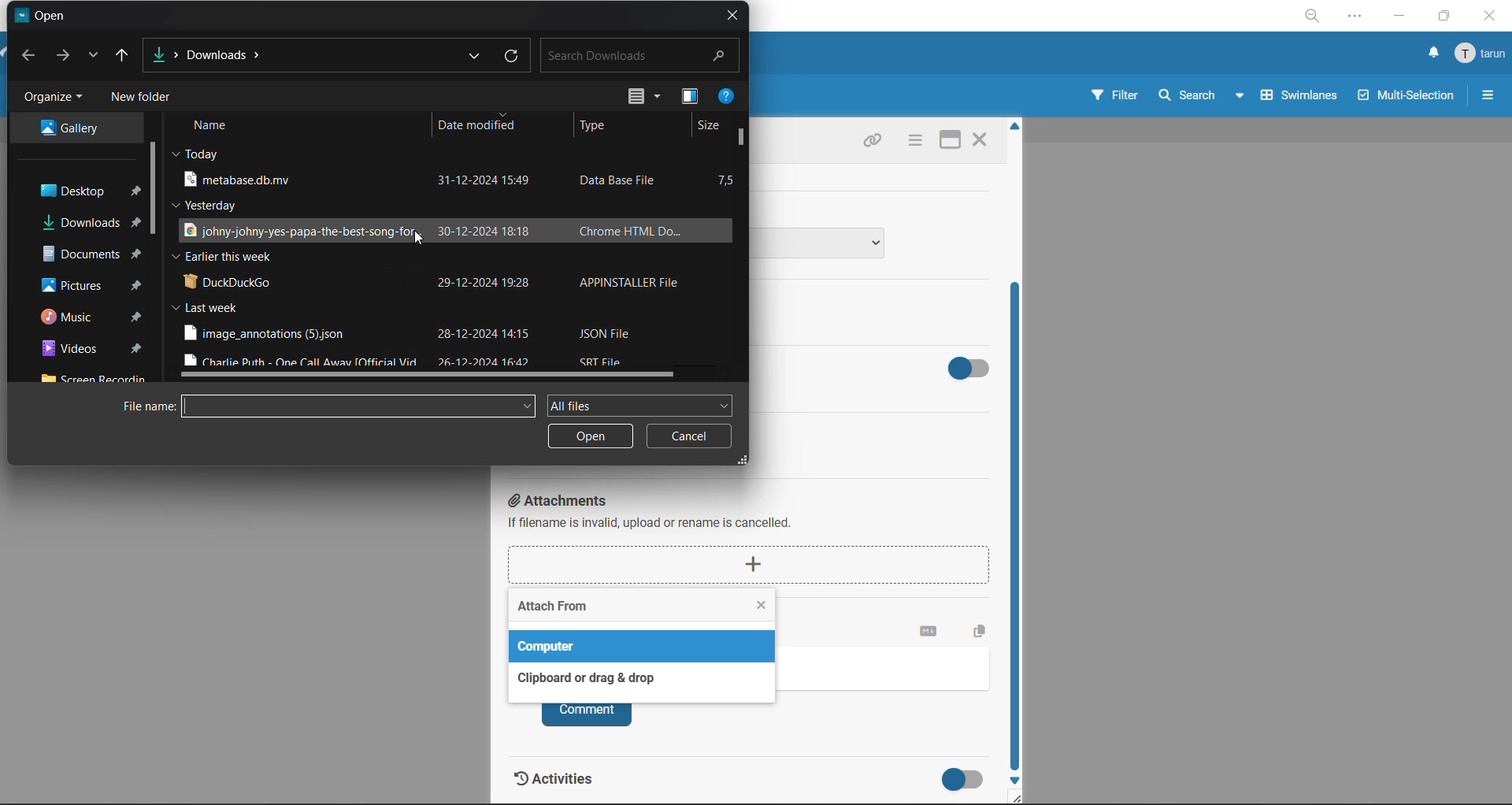 The height and width of the screenshot is (805, 1512). I want to click on pictures, so click(78, 285).